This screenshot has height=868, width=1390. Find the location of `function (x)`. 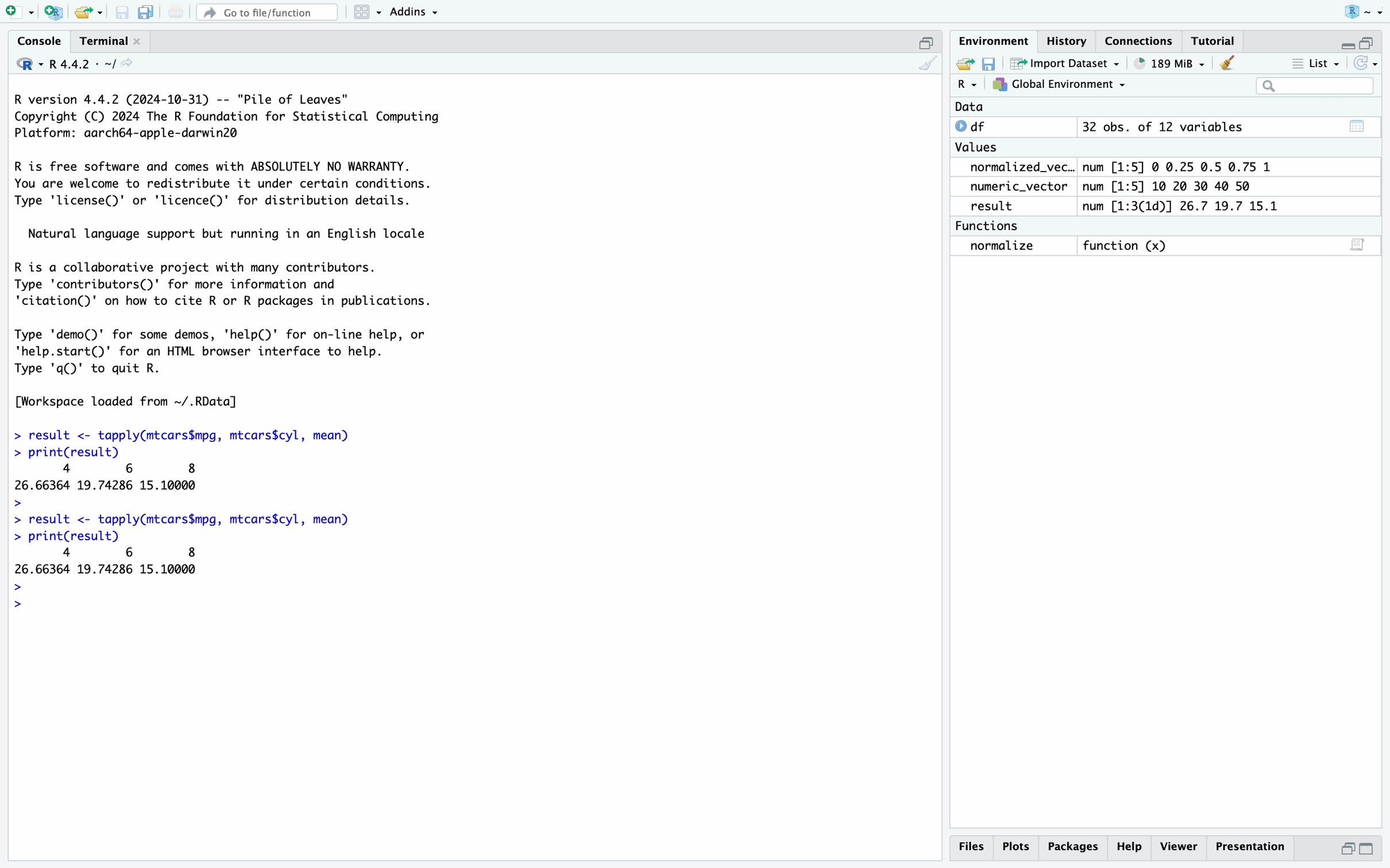

function (x) is located at coordinates (1128, 246).